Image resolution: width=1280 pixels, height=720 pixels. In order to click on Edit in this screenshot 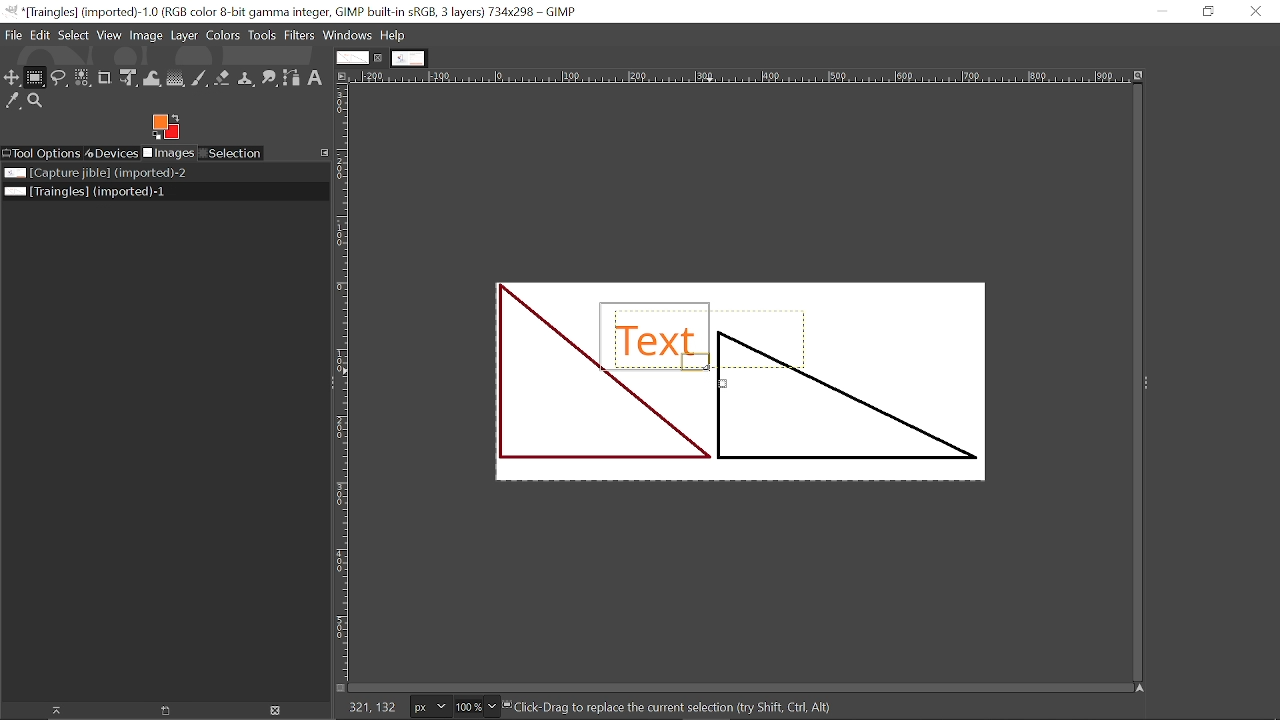, I will do `click(40, 35)`.